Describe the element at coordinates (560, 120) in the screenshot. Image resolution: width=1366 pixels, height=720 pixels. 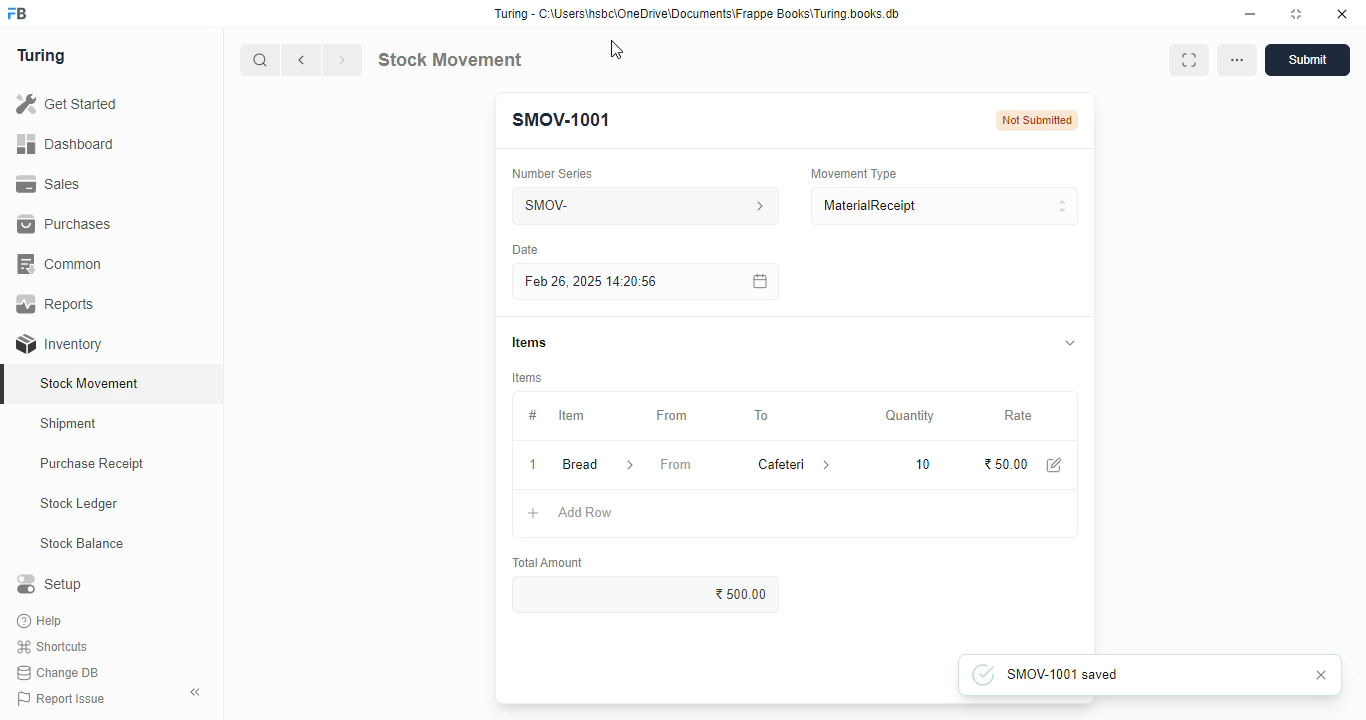
I see `SMOV-1001` at that location.